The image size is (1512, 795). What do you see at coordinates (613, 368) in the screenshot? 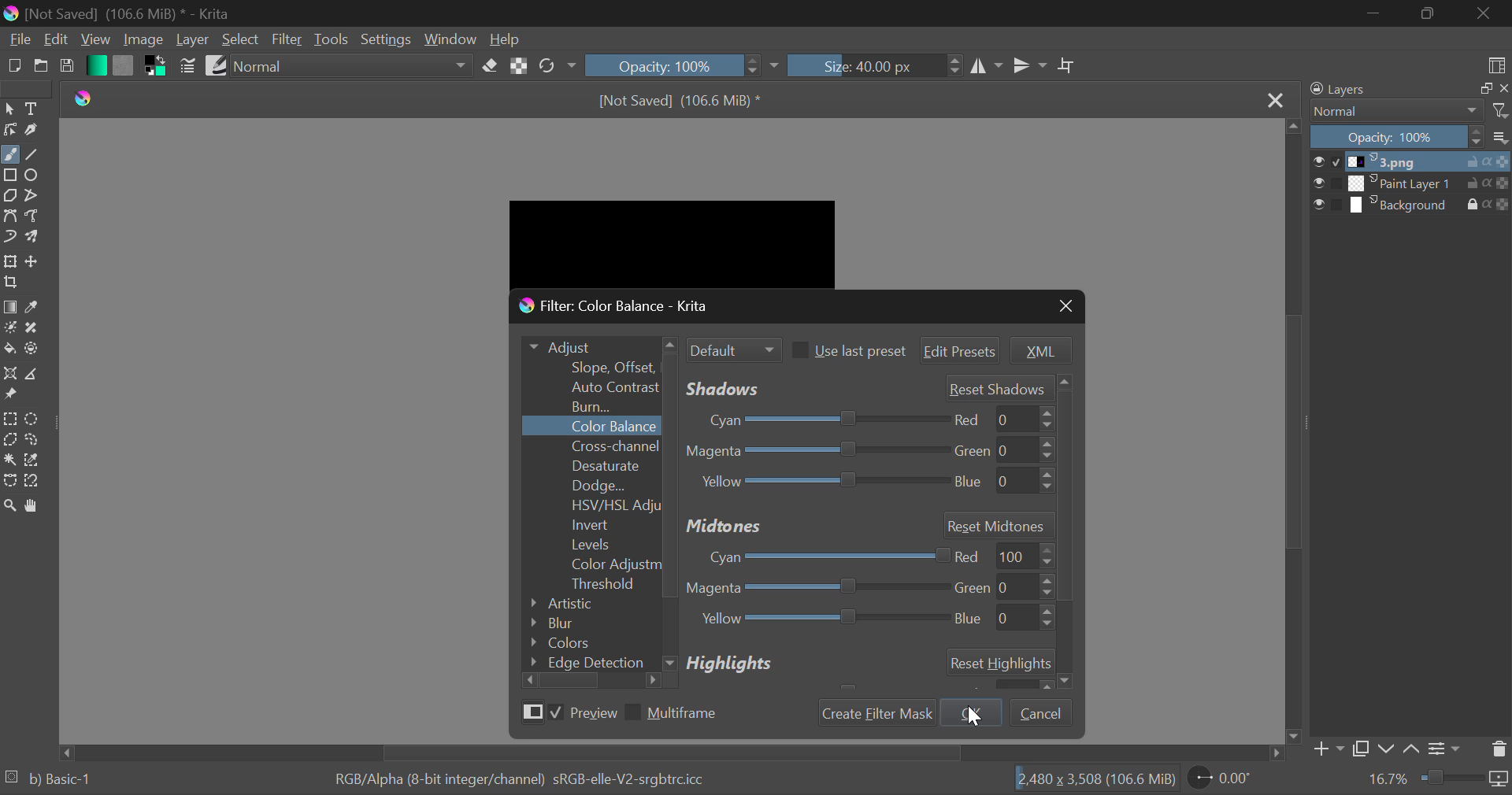
I see `Slope Offset` at bounding box center [613, 368].